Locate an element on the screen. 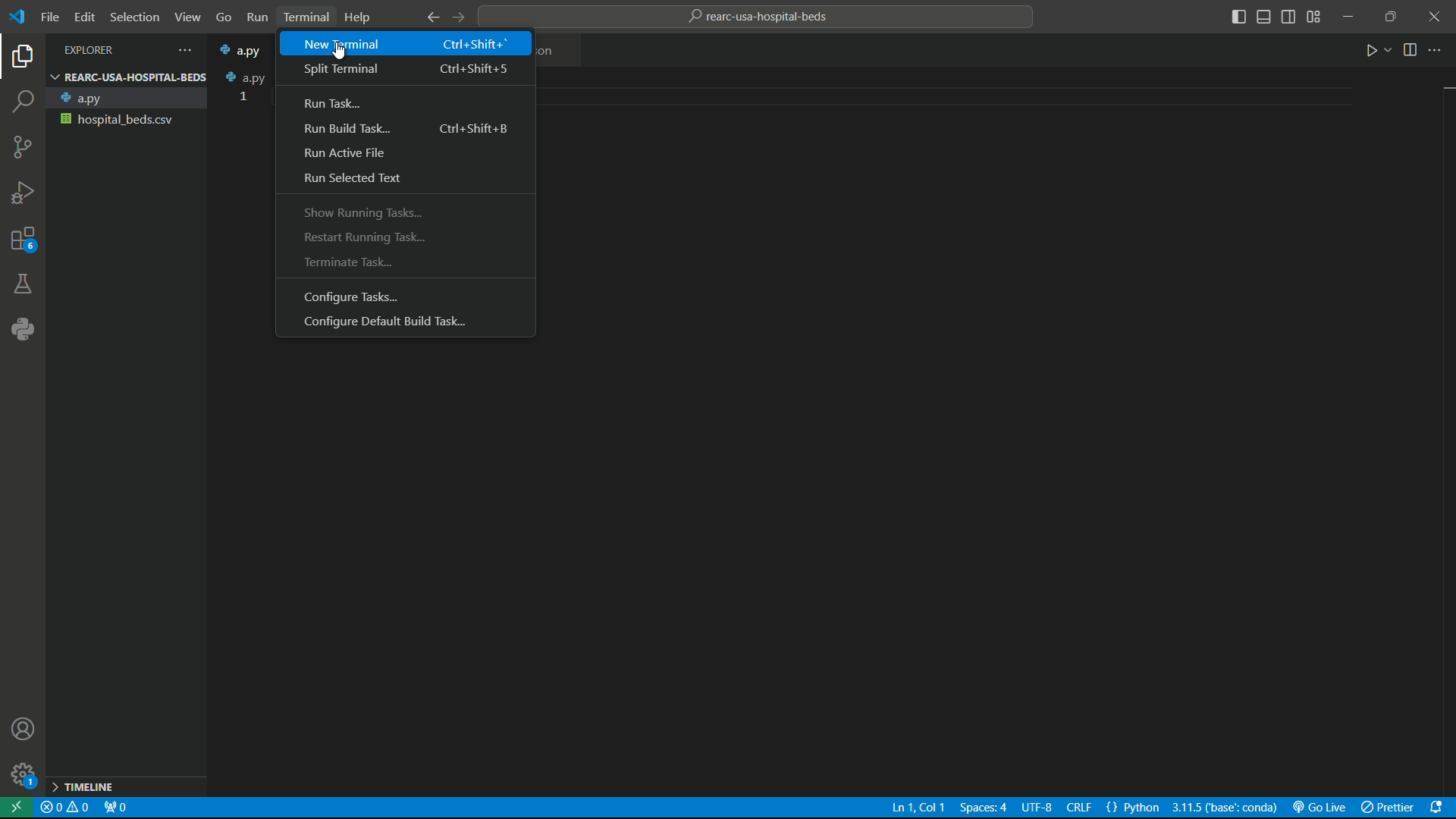  configure tasks is located at coordinates (405, 296).